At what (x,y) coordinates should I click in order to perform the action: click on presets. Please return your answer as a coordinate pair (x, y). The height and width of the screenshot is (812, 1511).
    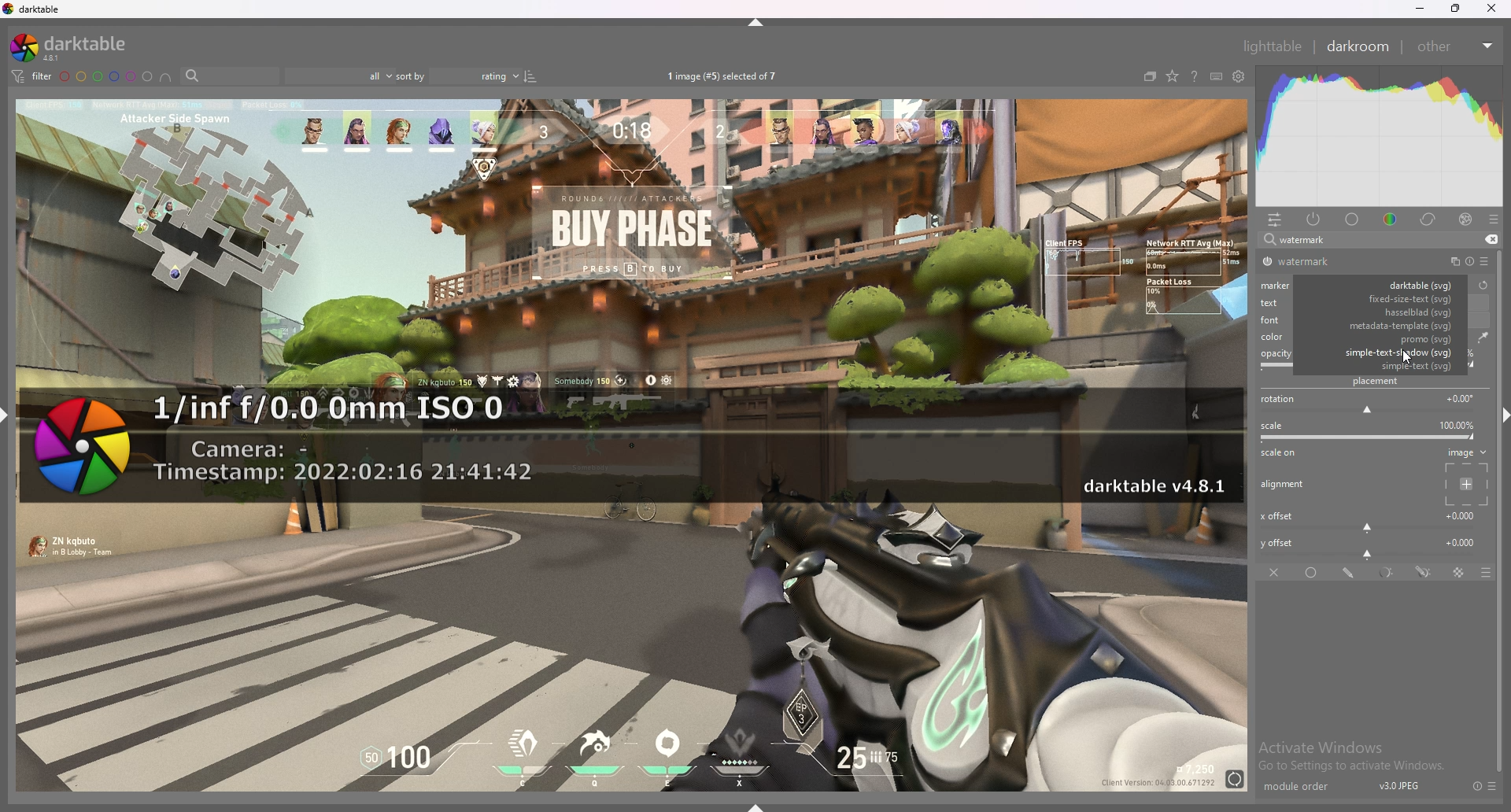
    Looking at the image, I should click on (1493, 786).